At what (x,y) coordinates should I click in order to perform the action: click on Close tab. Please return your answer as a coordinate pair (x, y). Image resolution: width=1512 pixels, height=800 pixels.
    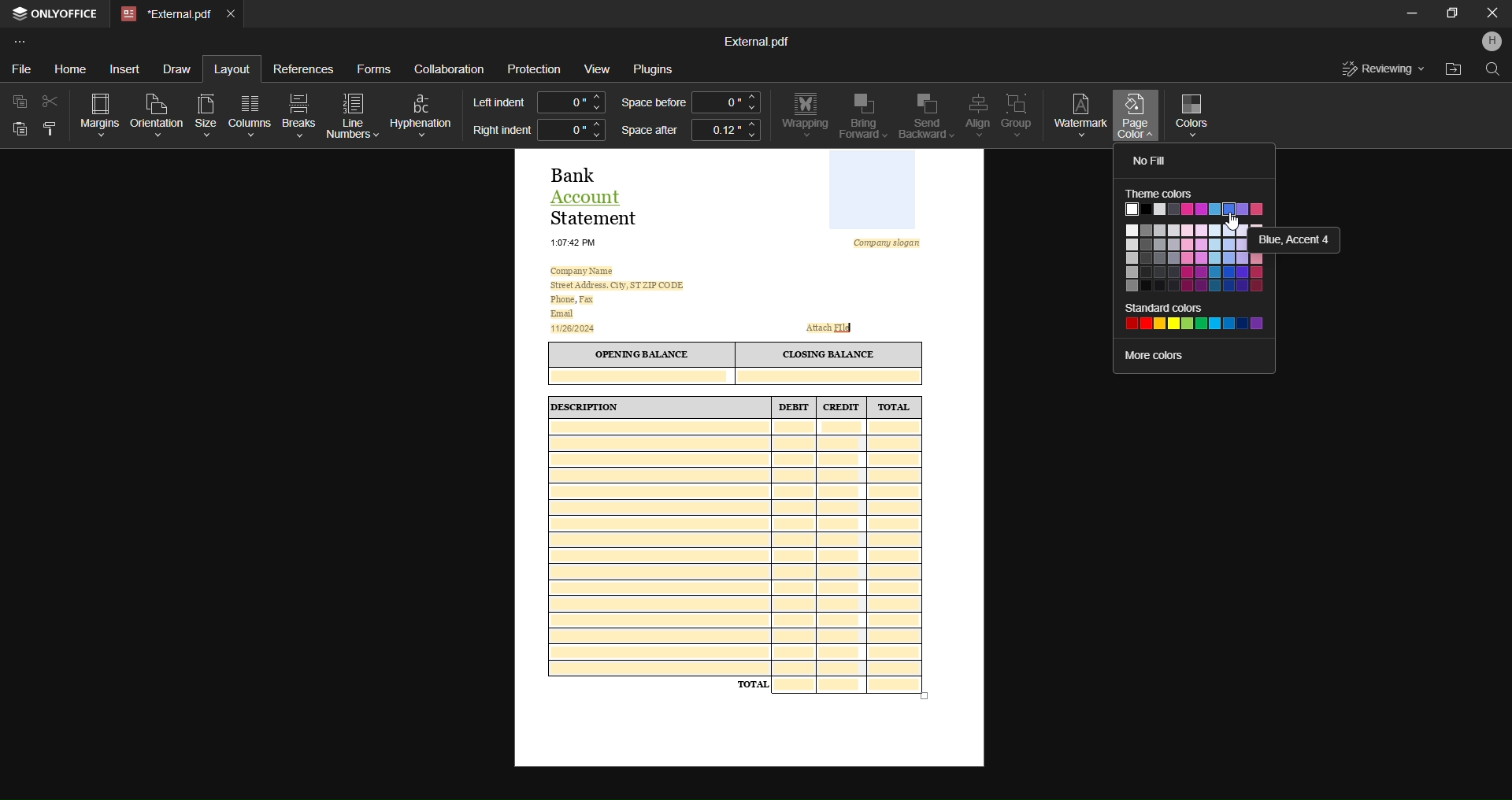
    Looking at the image, I should click on (233, 16).